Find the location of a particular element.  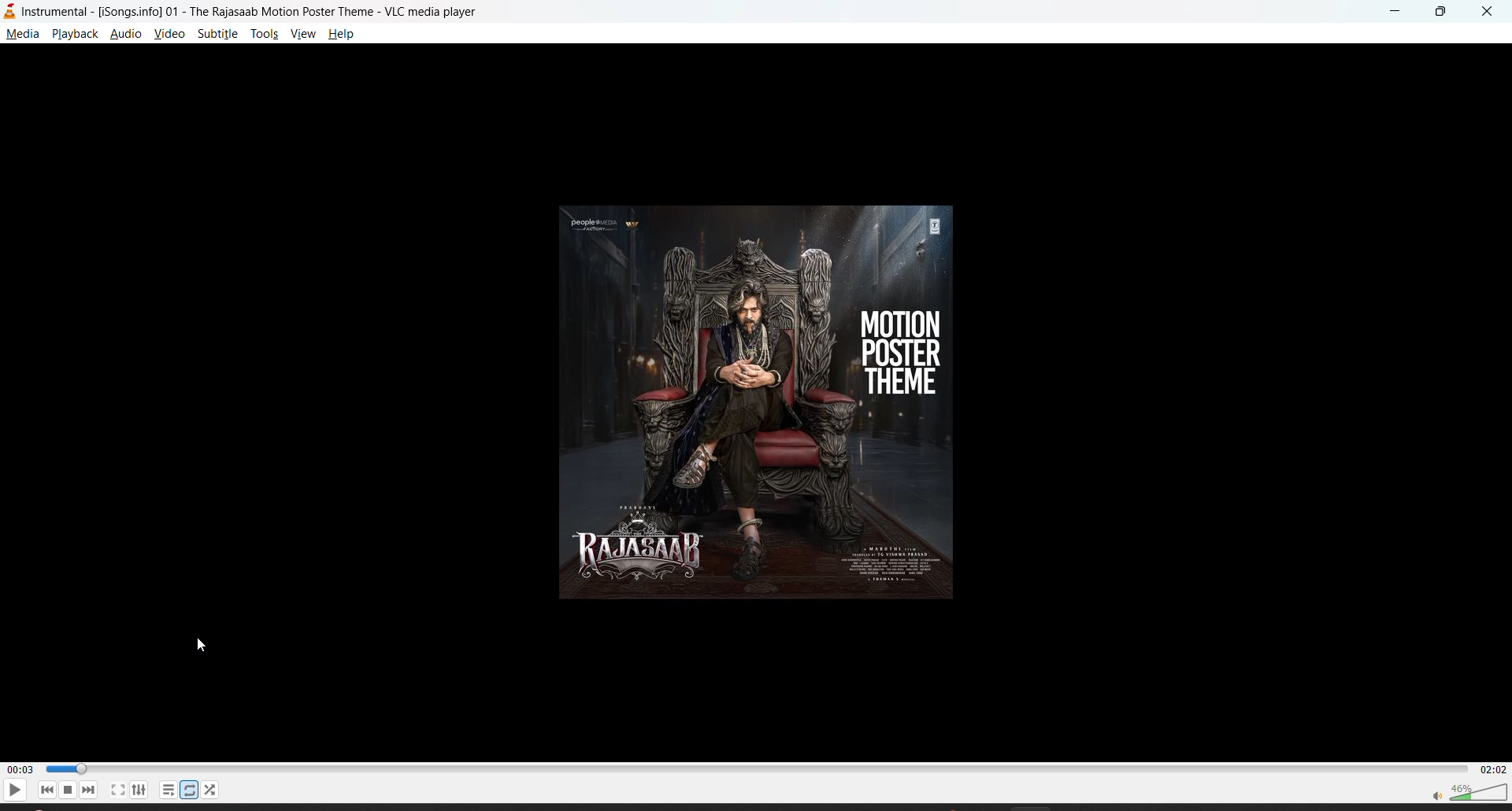

next is located at coordinates (88, 790).